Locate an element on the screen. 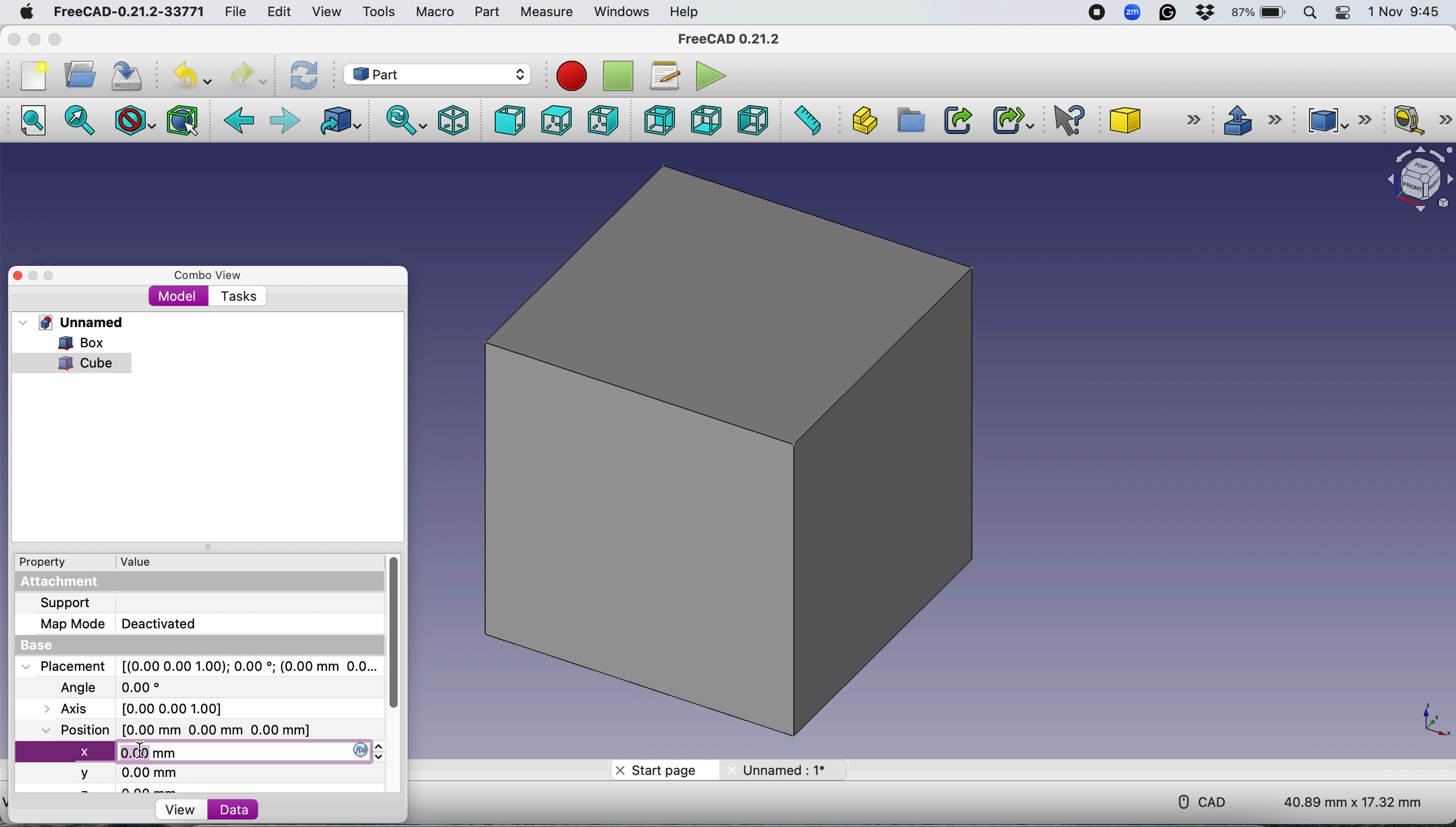 The height and width of the screenshot is (827, 1456). Base is located at coordinates (47, 645).